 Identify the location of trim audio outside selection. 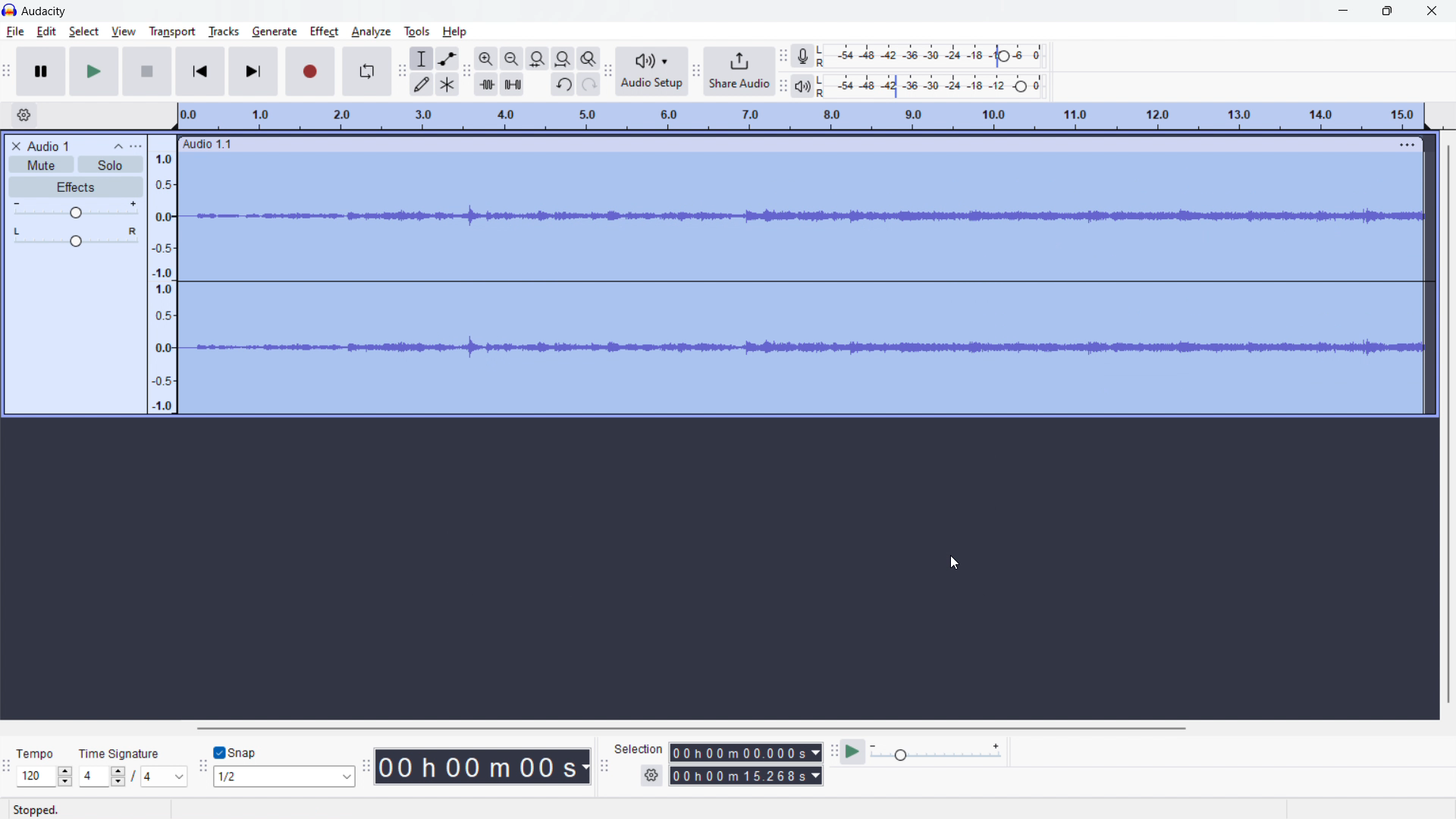
(487, 84).